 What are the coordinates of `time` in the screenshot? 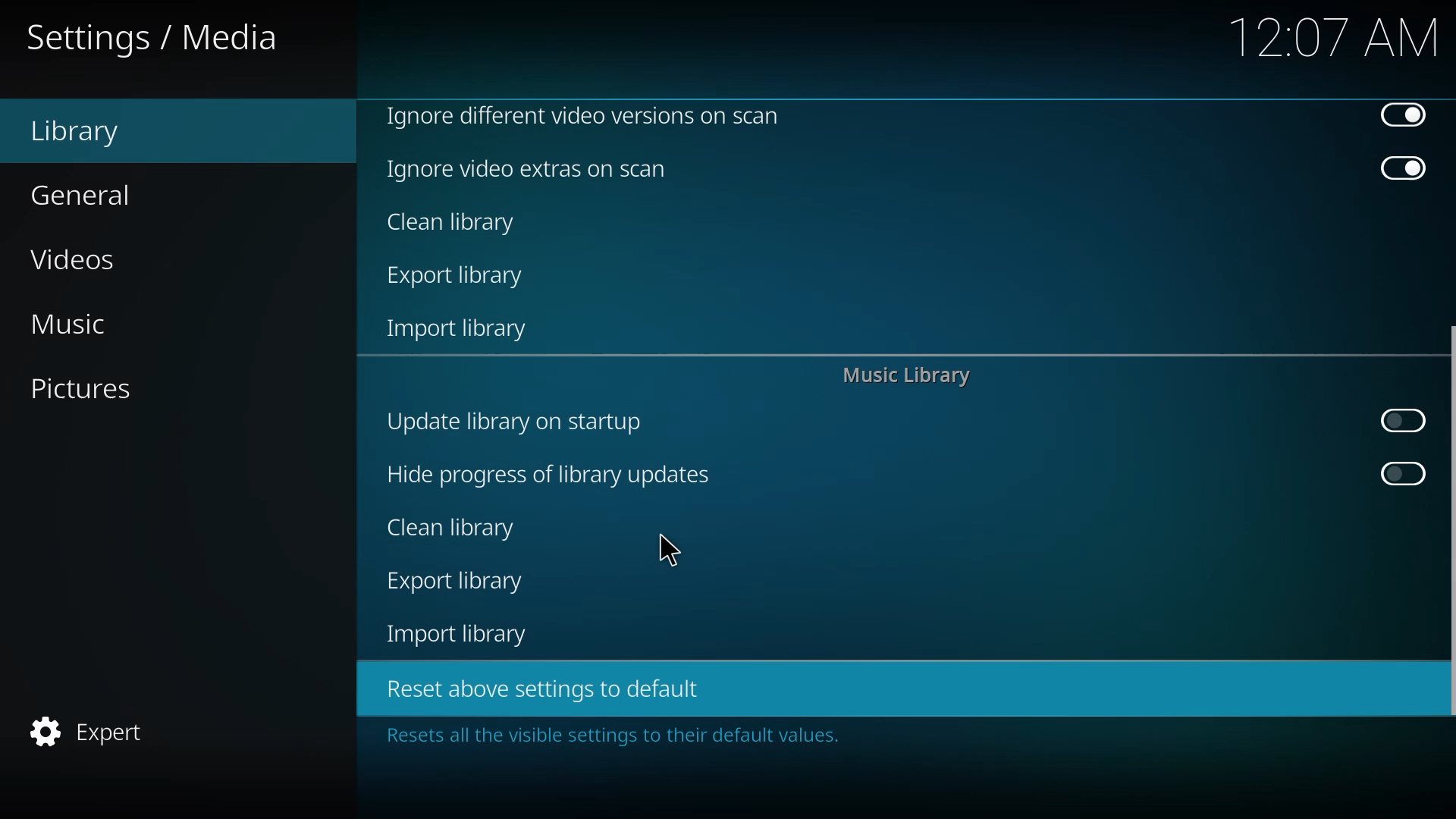 It's located at (1335, 36).